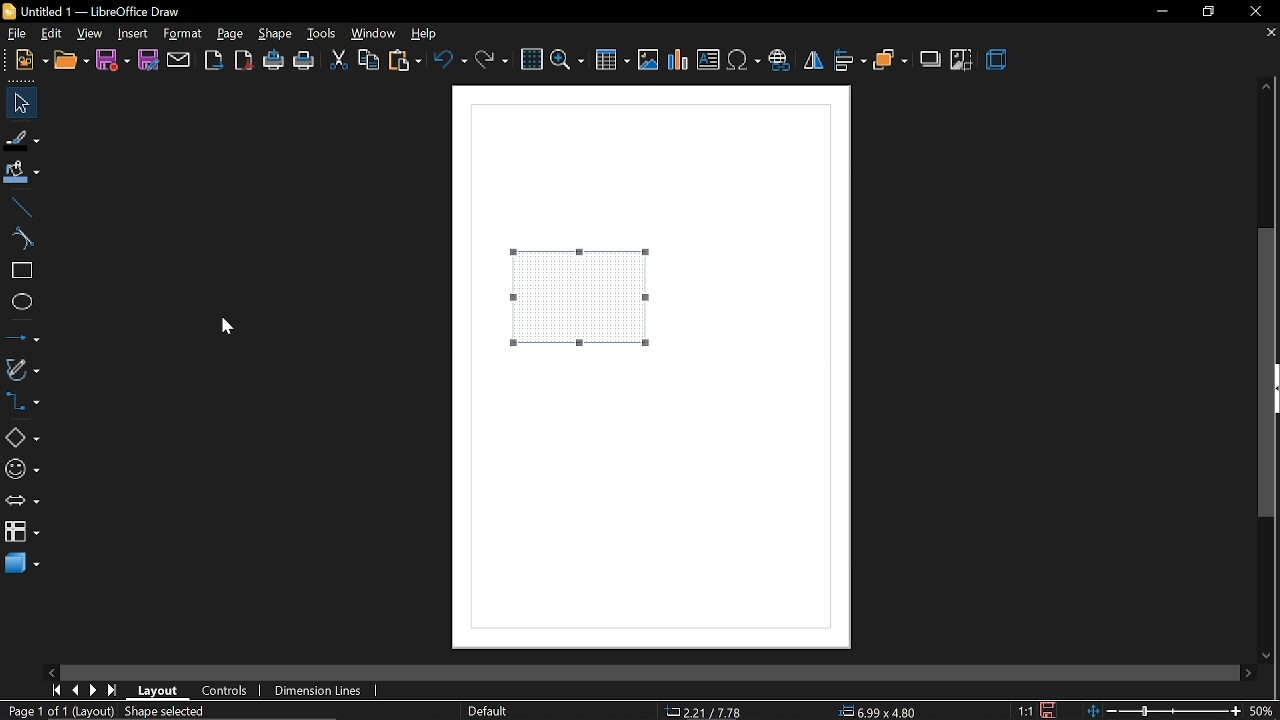 The width and height of the screenshot is (1280, 720). Describe the element at coordinates (963, 61) in the screenshot. I see `crop` at that location.